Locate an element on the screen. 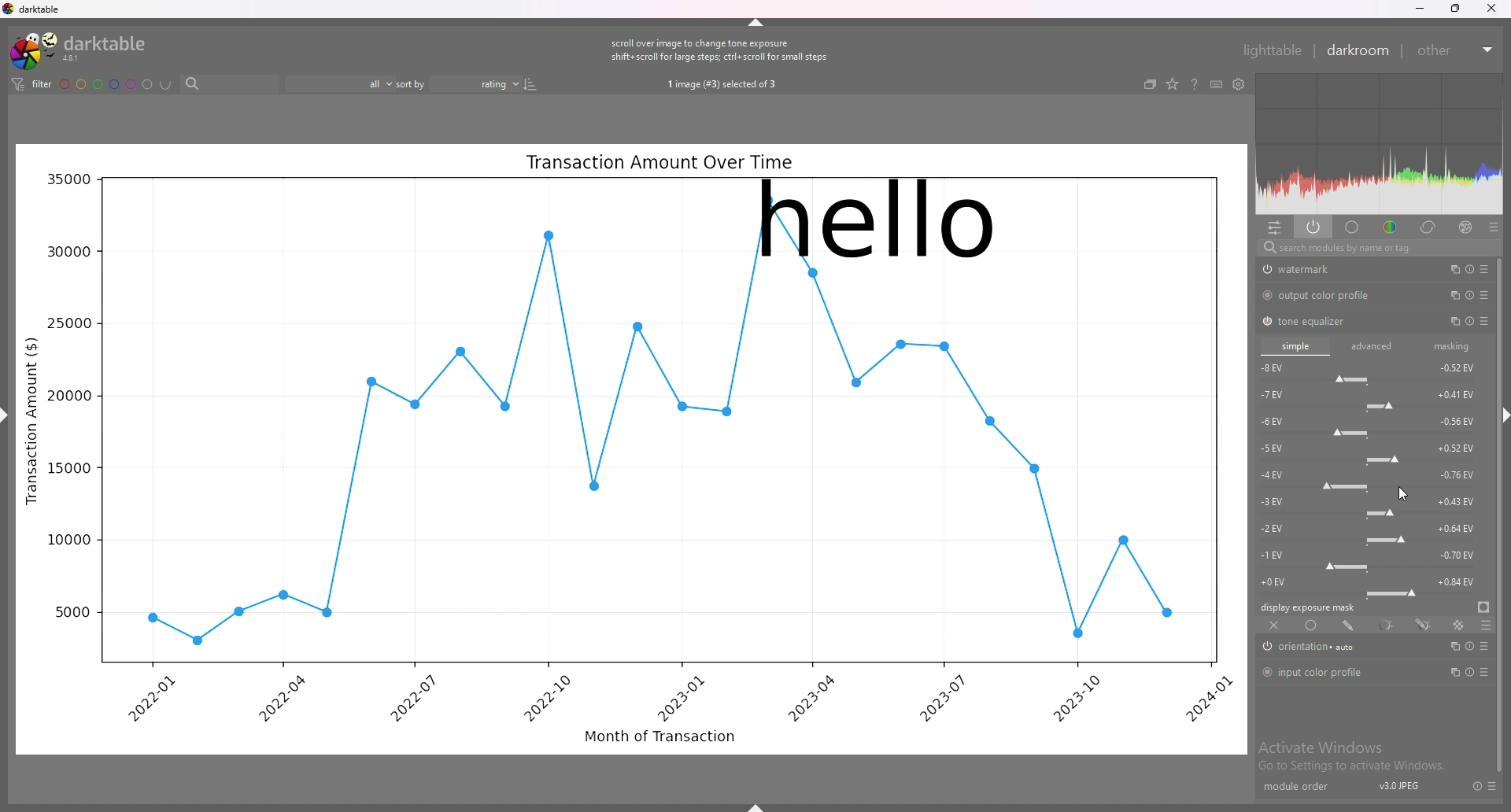 The height and width of the screenshot is (812, 1511). off is located at coordinates (1274, 626).